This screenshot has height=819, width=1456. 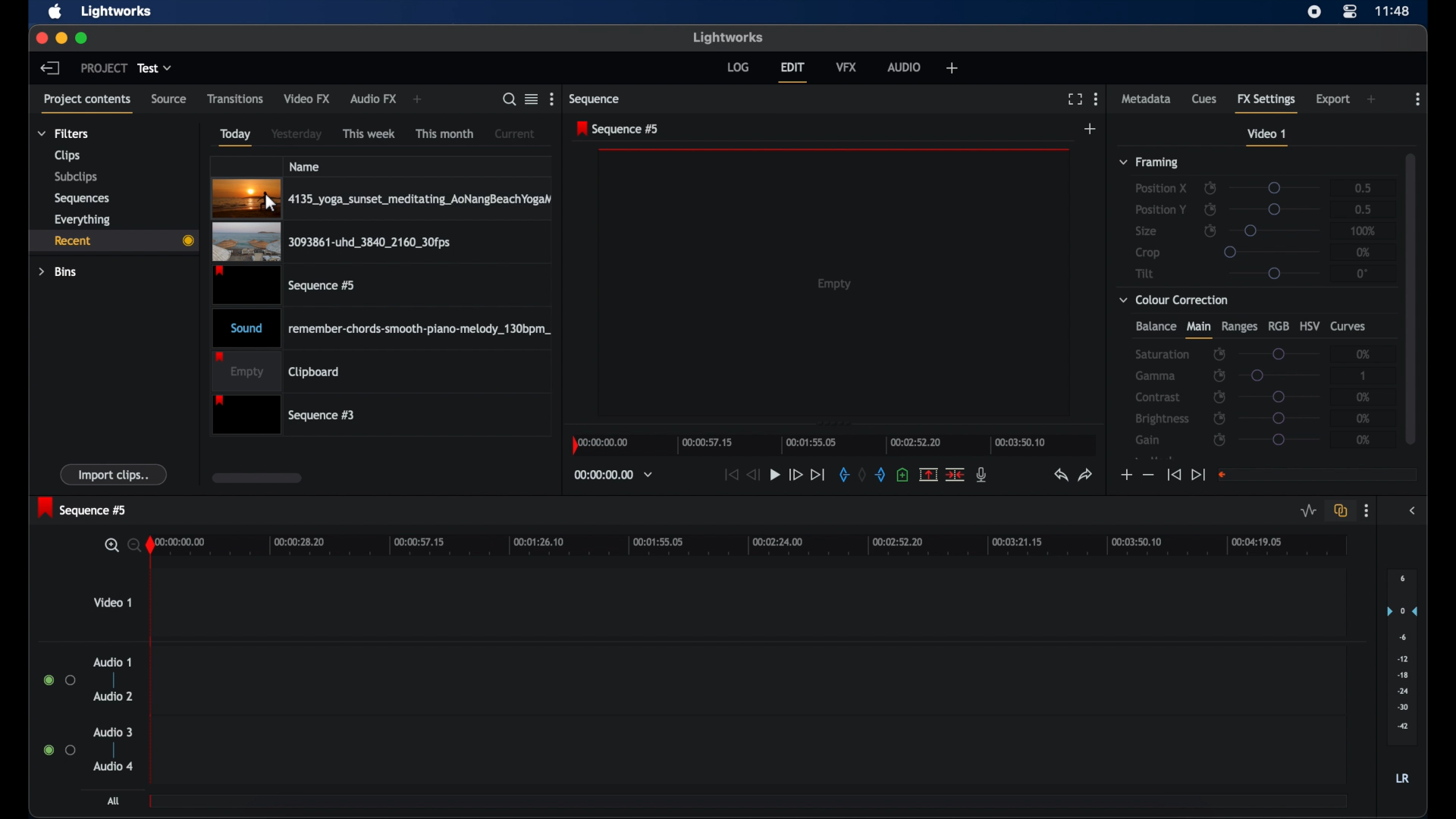 I want to click on video clip, so click(x=286, y=285).